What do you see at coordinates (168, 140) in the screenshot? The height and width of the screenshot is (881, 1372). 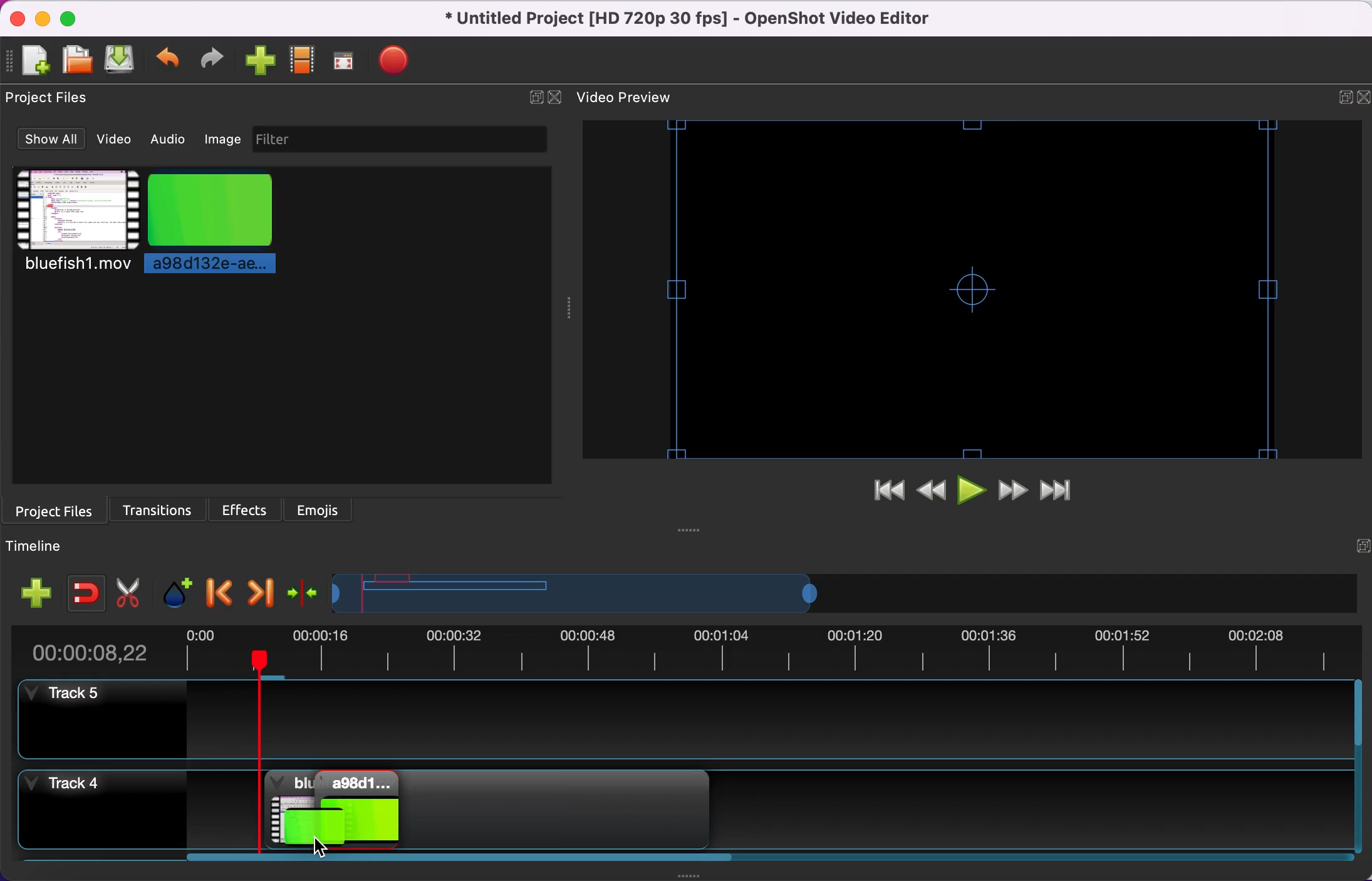 I see `audio` at bounding box center [168, 140].